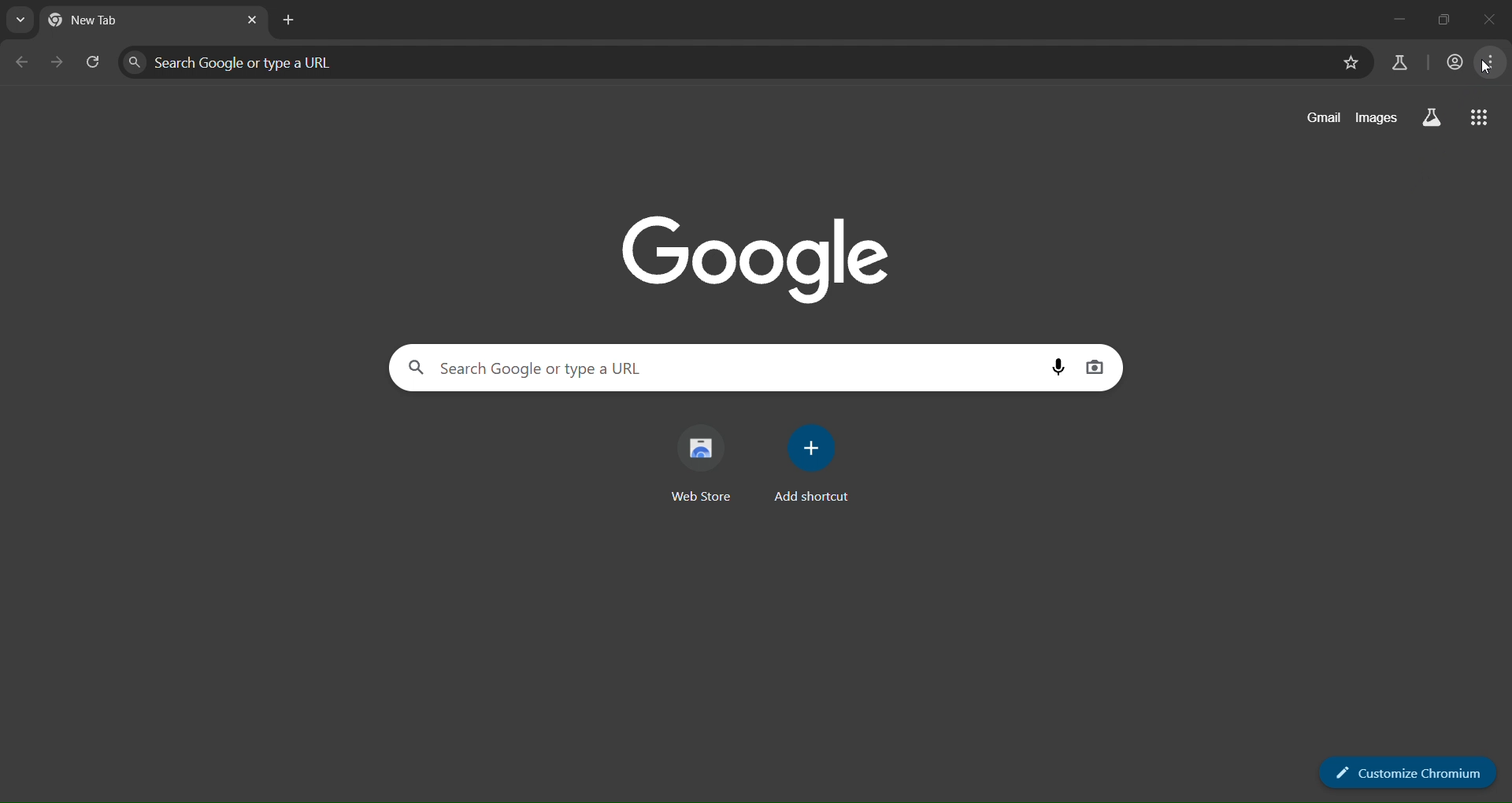  What do you see at coordinates (94, 61) in the screenshot?
I see `reload page` at bounding box center [94, 61].